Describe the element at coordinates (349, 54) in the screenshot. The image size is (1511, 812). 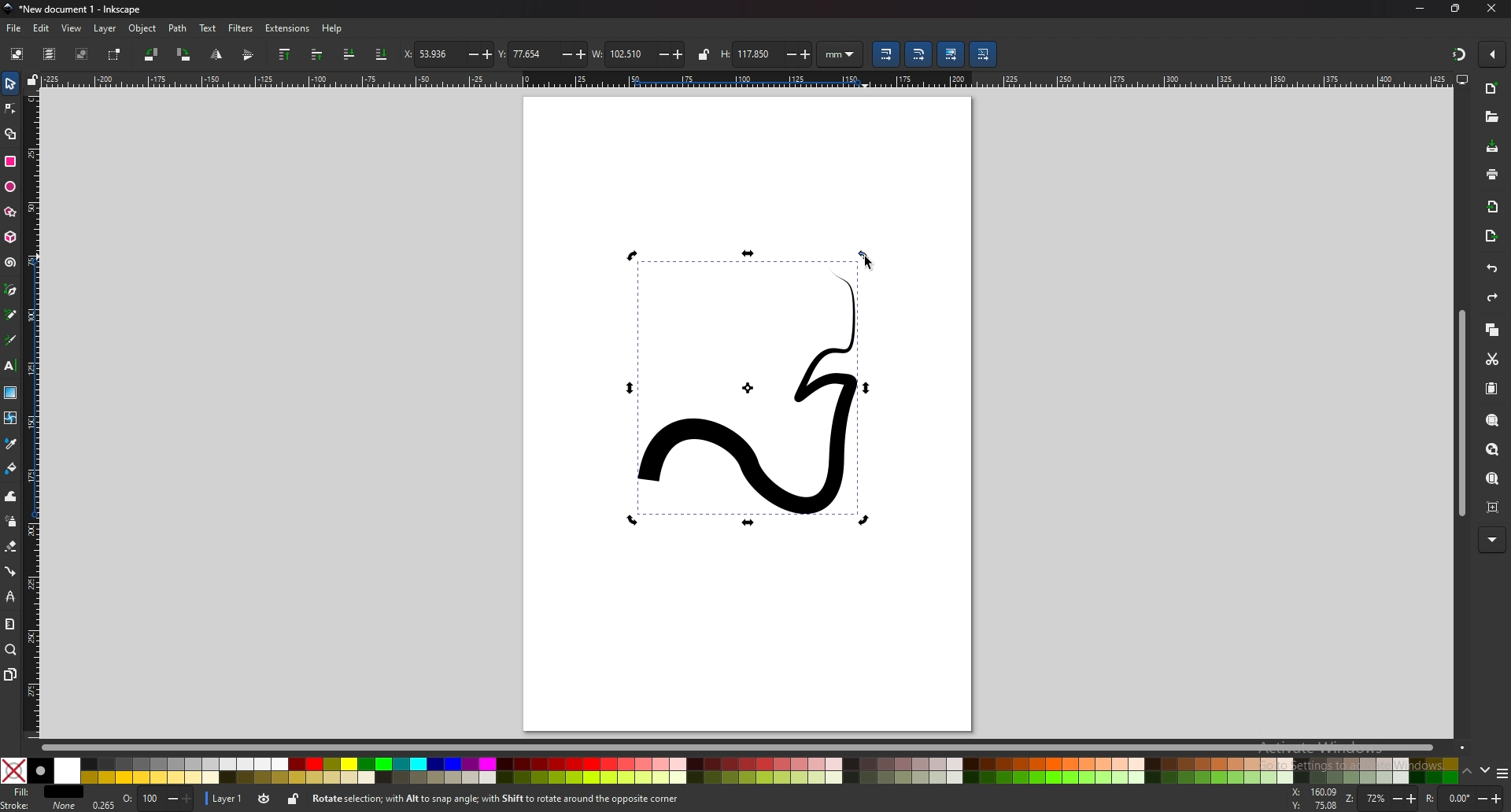
I see `lower selection one step` at that location.